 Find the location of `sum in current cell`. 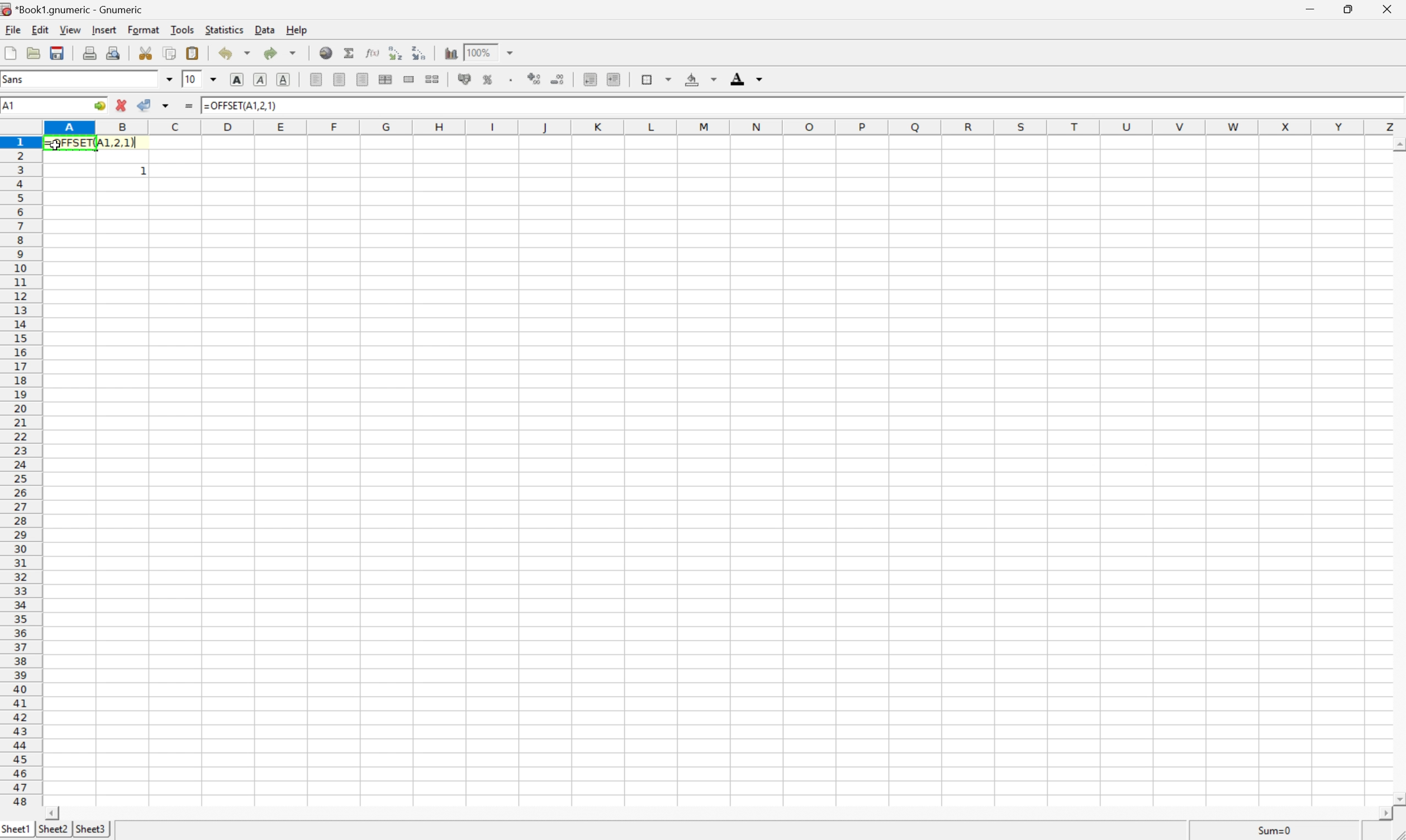

sum in current cell is located at coordinates (349, 54).